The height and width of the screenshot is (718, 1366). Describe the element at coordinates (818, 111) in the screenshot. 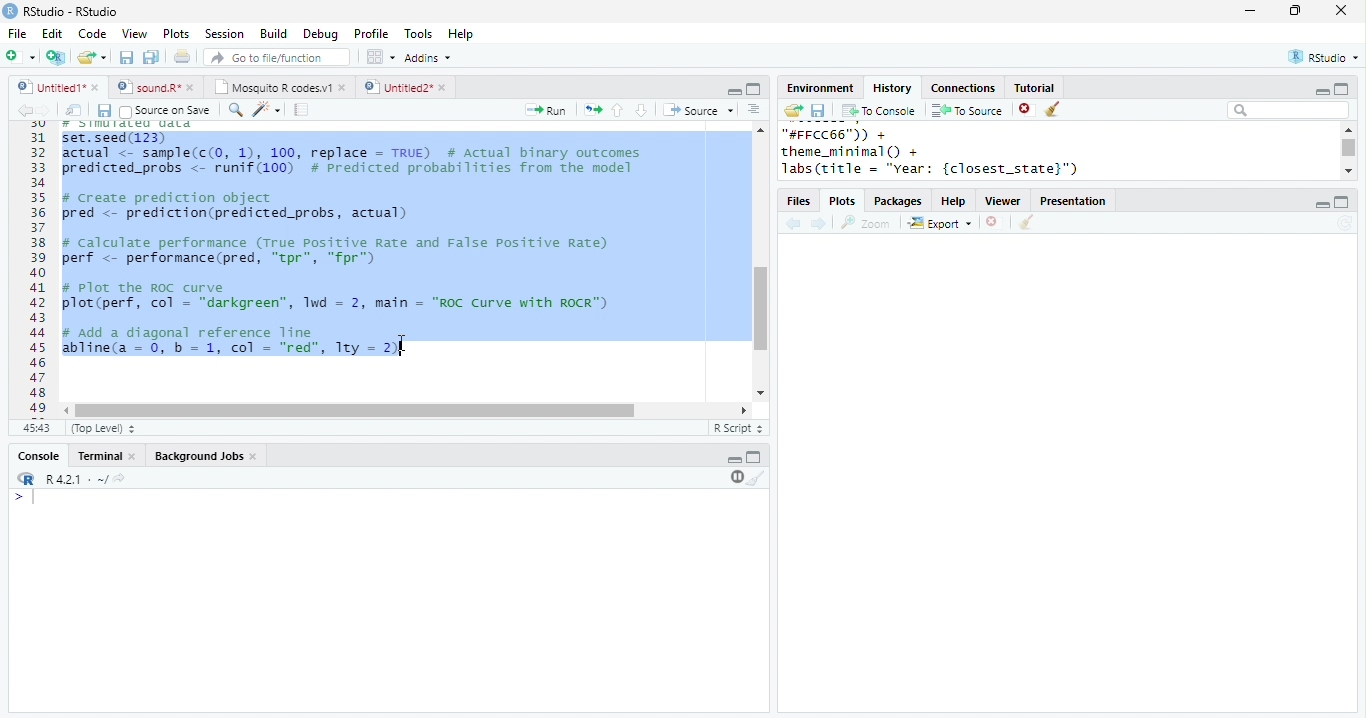

I see `save` at that location.